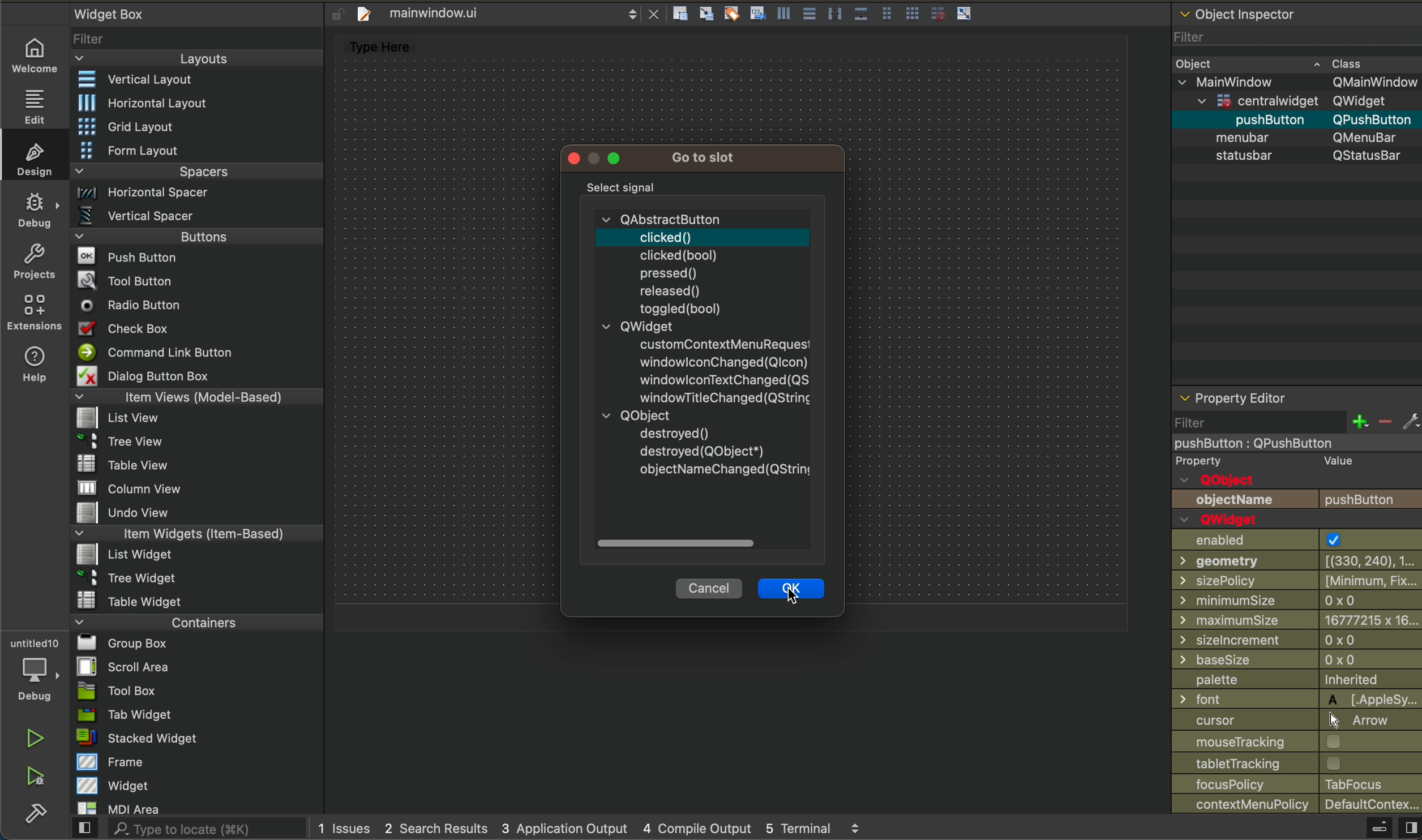 The image size is (1422, 840). Describe the element at coordinates (194, 192) in the screenshot. I see `Horizontal spacer` at that location.